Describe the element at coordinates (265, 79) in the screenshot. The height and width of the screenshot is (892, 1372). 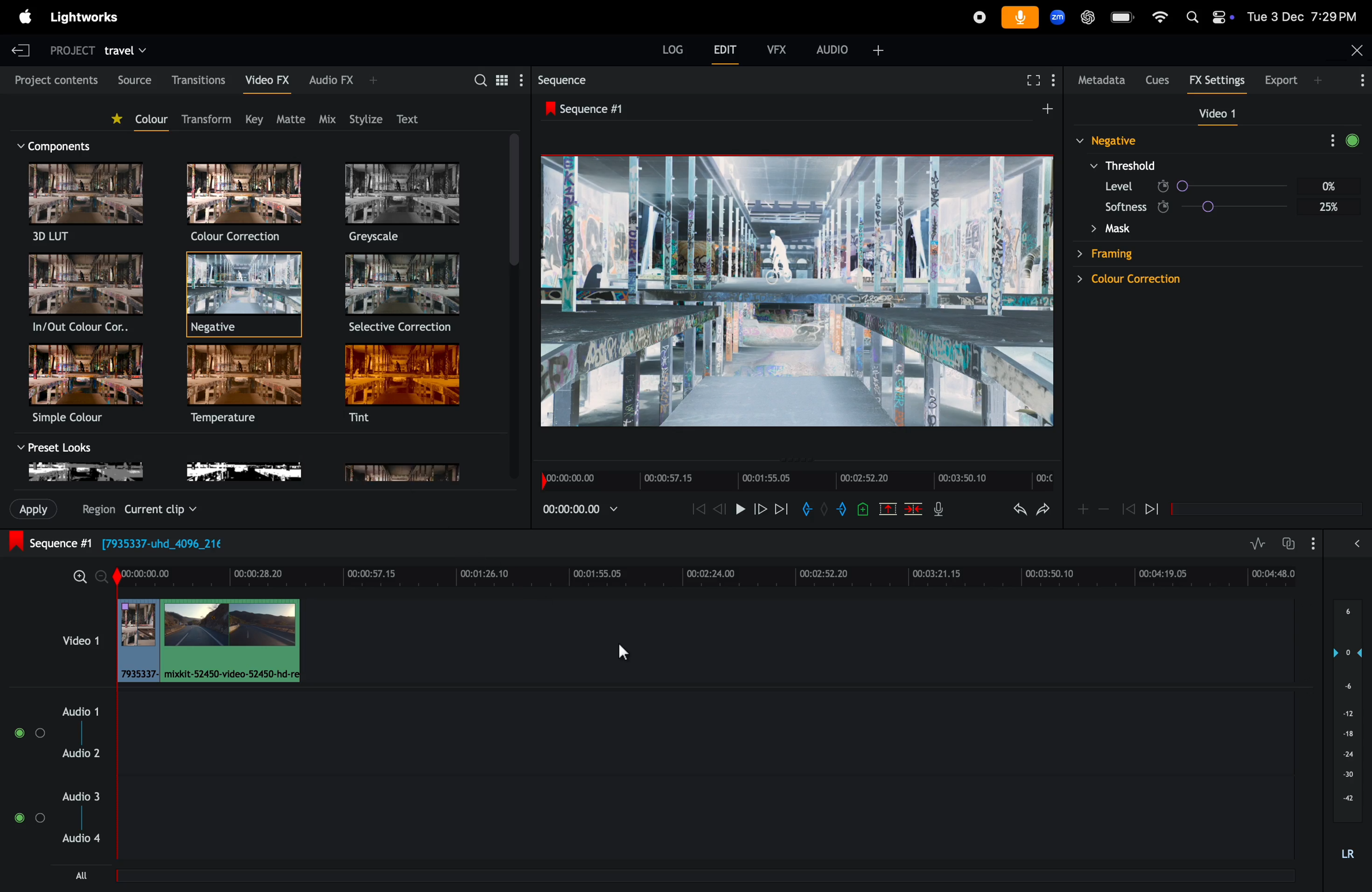
I see `Video fx` at that location.